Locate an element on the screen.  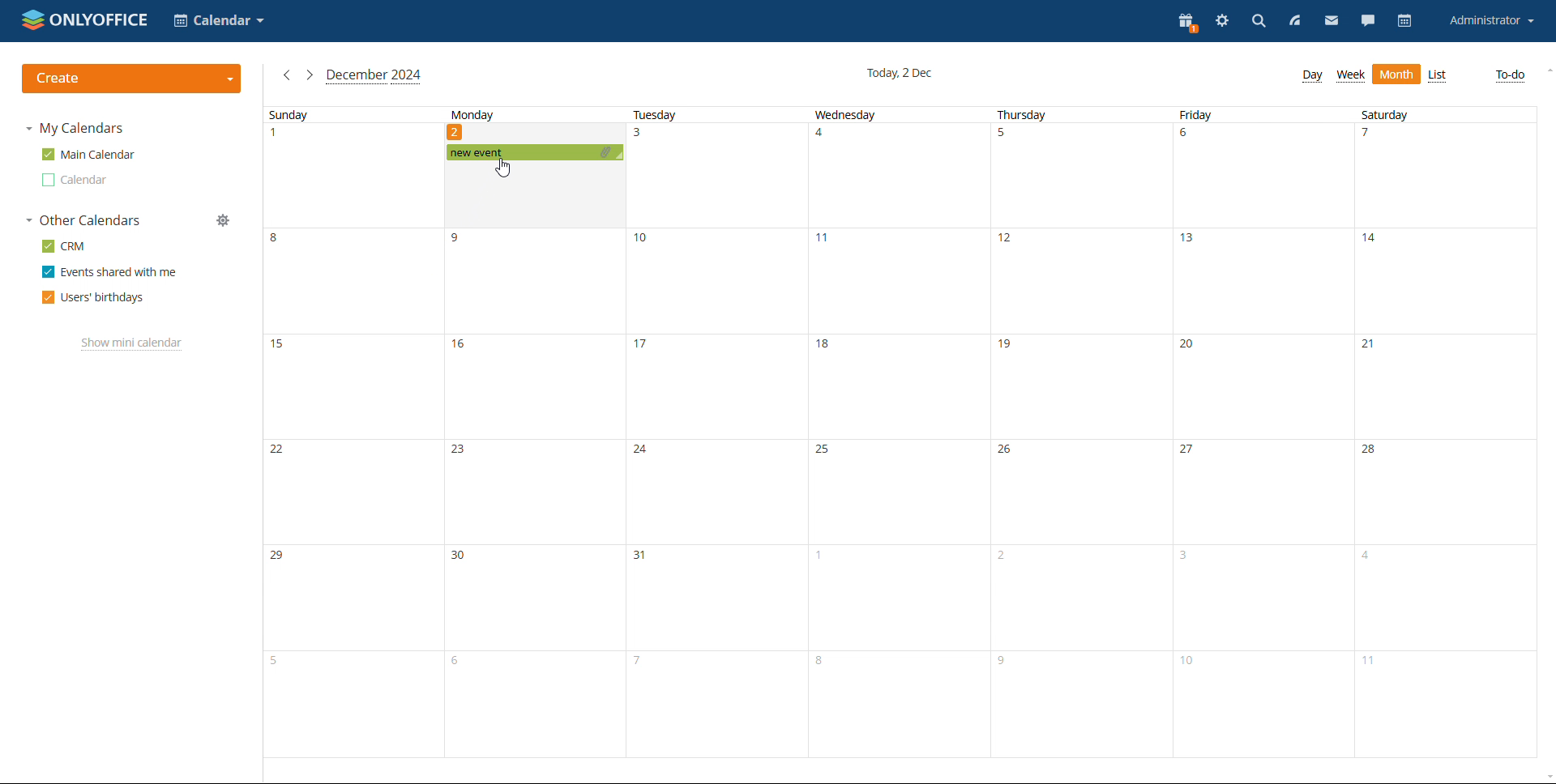
search is located at coordinates (1257, 23).